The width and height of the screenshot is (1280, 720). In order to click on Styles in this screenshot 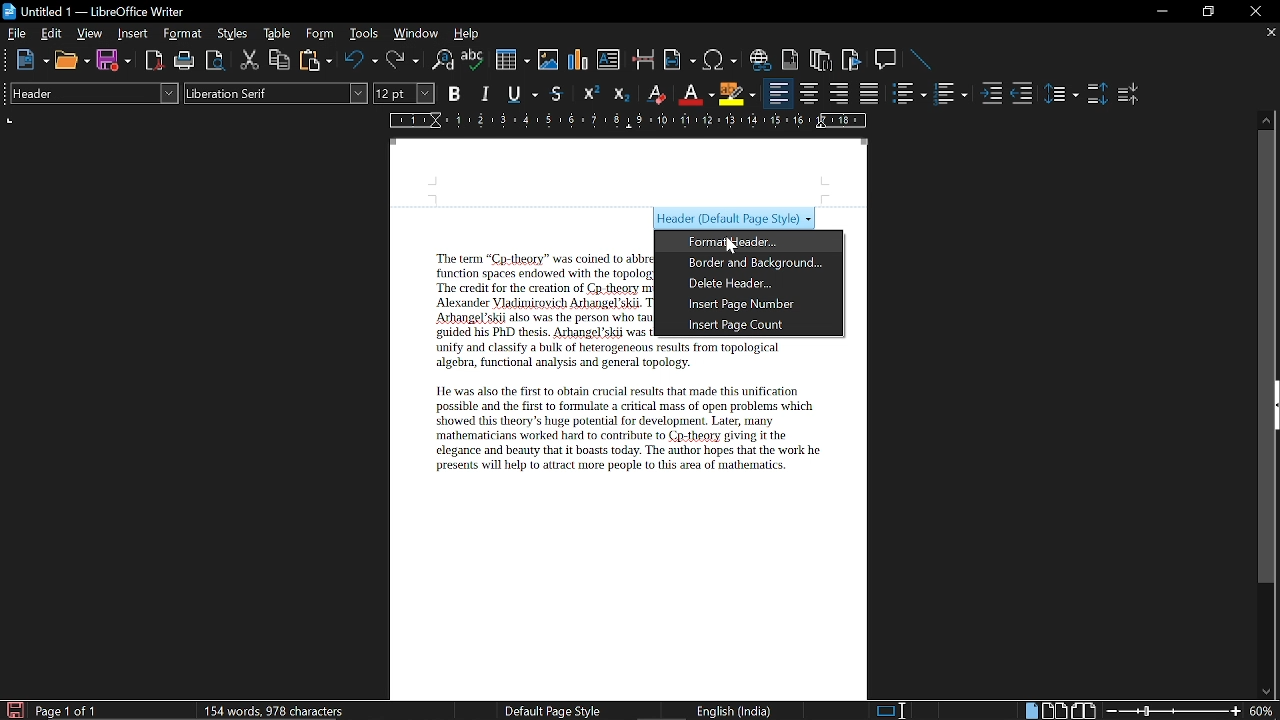, I will do `click(233, 34)`.